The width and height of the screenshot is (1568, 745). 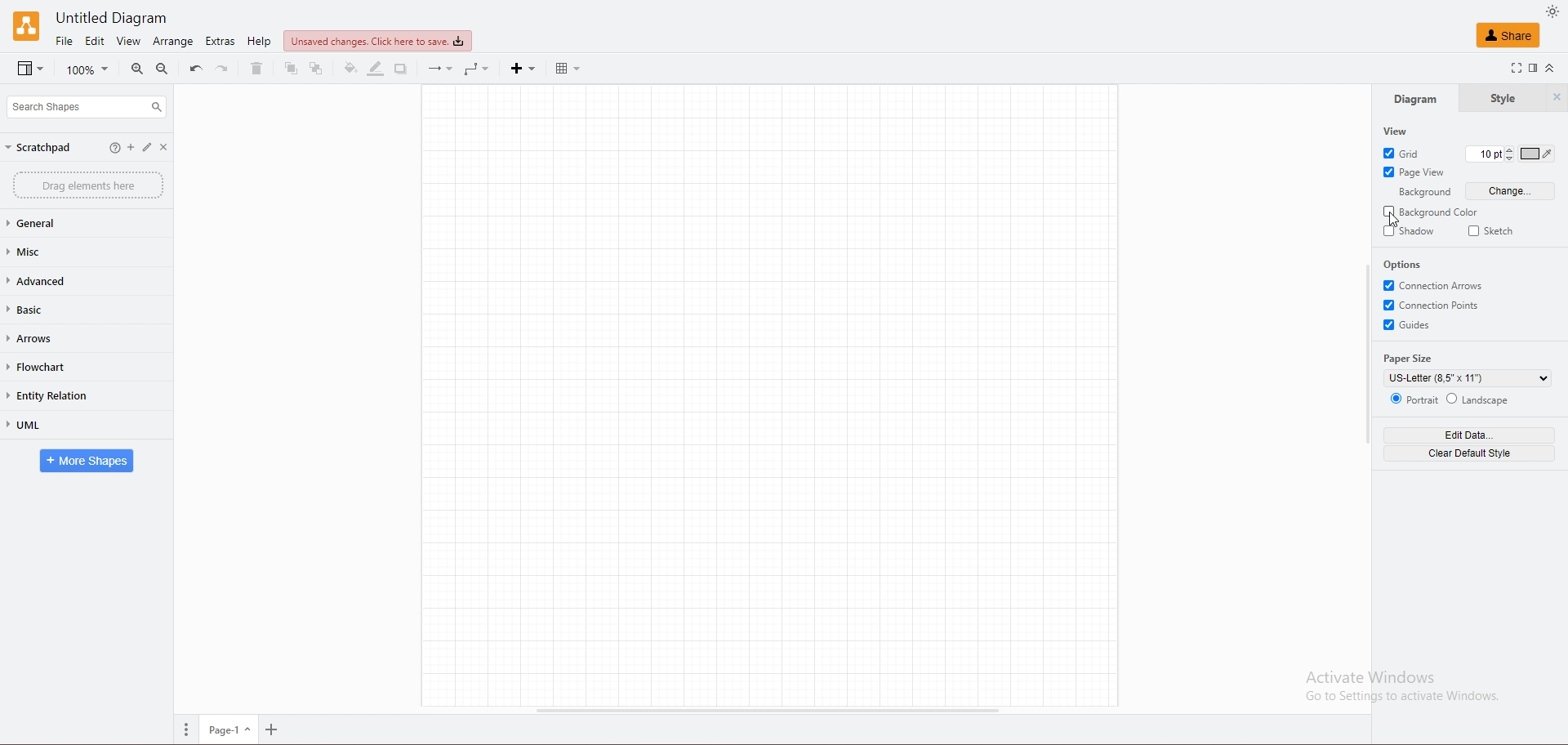 What do you see at coordinates (66, 426) in the screenshot?
I see `UML` at bounding box center [66, 426].